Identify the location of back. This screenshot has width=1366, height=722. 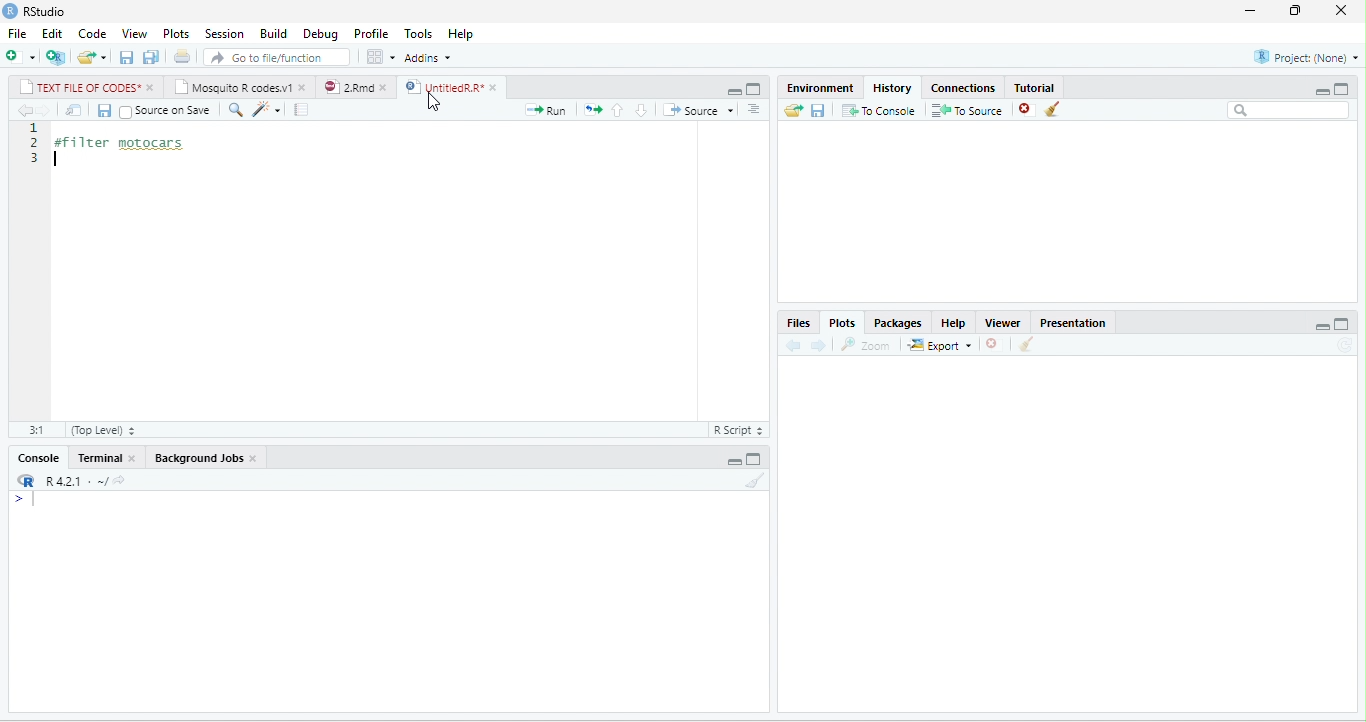
(26, 110).